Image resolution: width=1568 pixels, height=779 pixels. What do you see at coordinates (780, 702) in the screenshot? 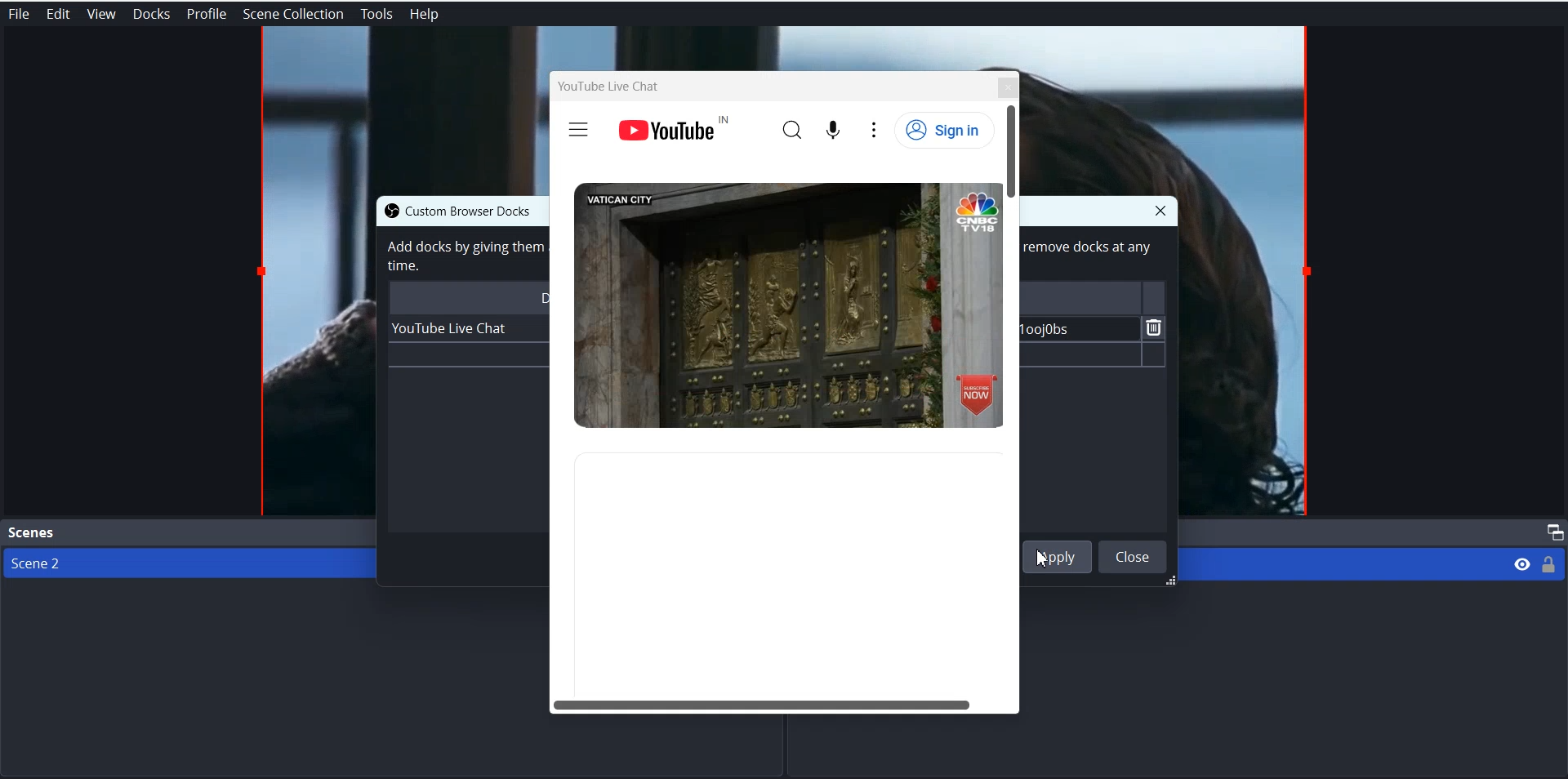
I see `Horizontal Scroll bar` at bounding box center [780, 702].